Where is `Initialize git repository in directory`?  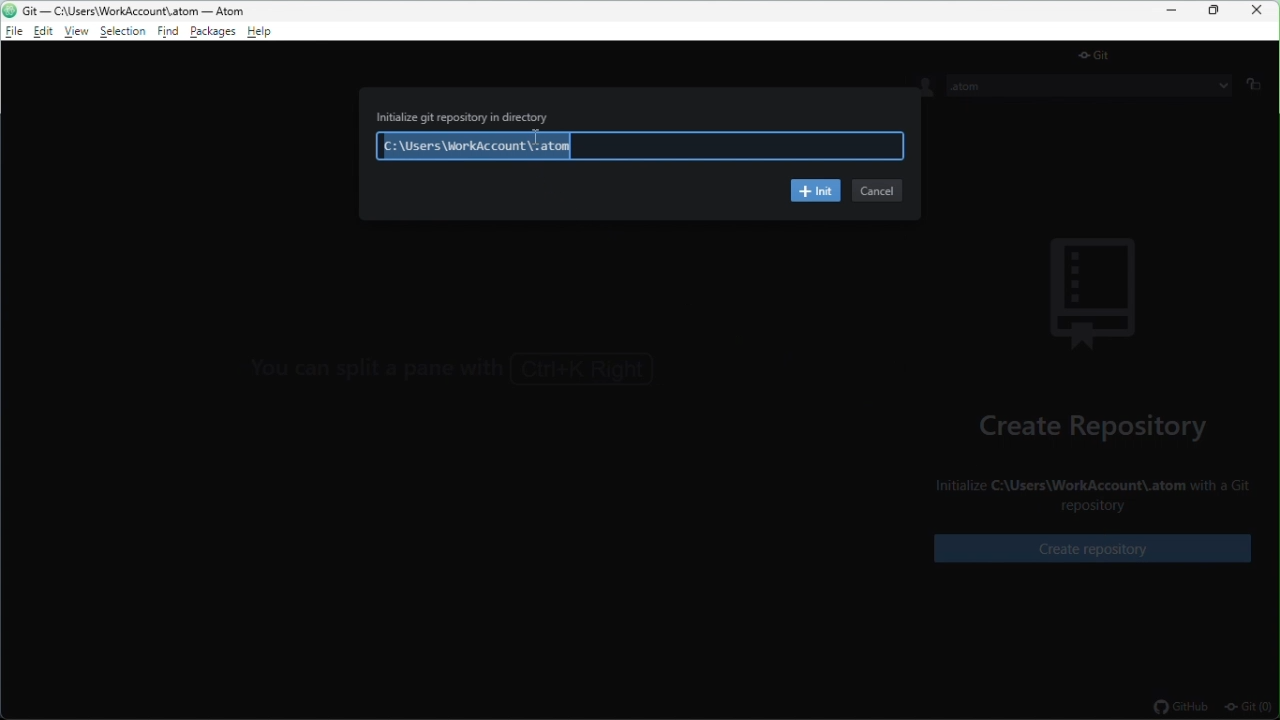
Initialize git repository in directory is located at coordinates (463, 113).